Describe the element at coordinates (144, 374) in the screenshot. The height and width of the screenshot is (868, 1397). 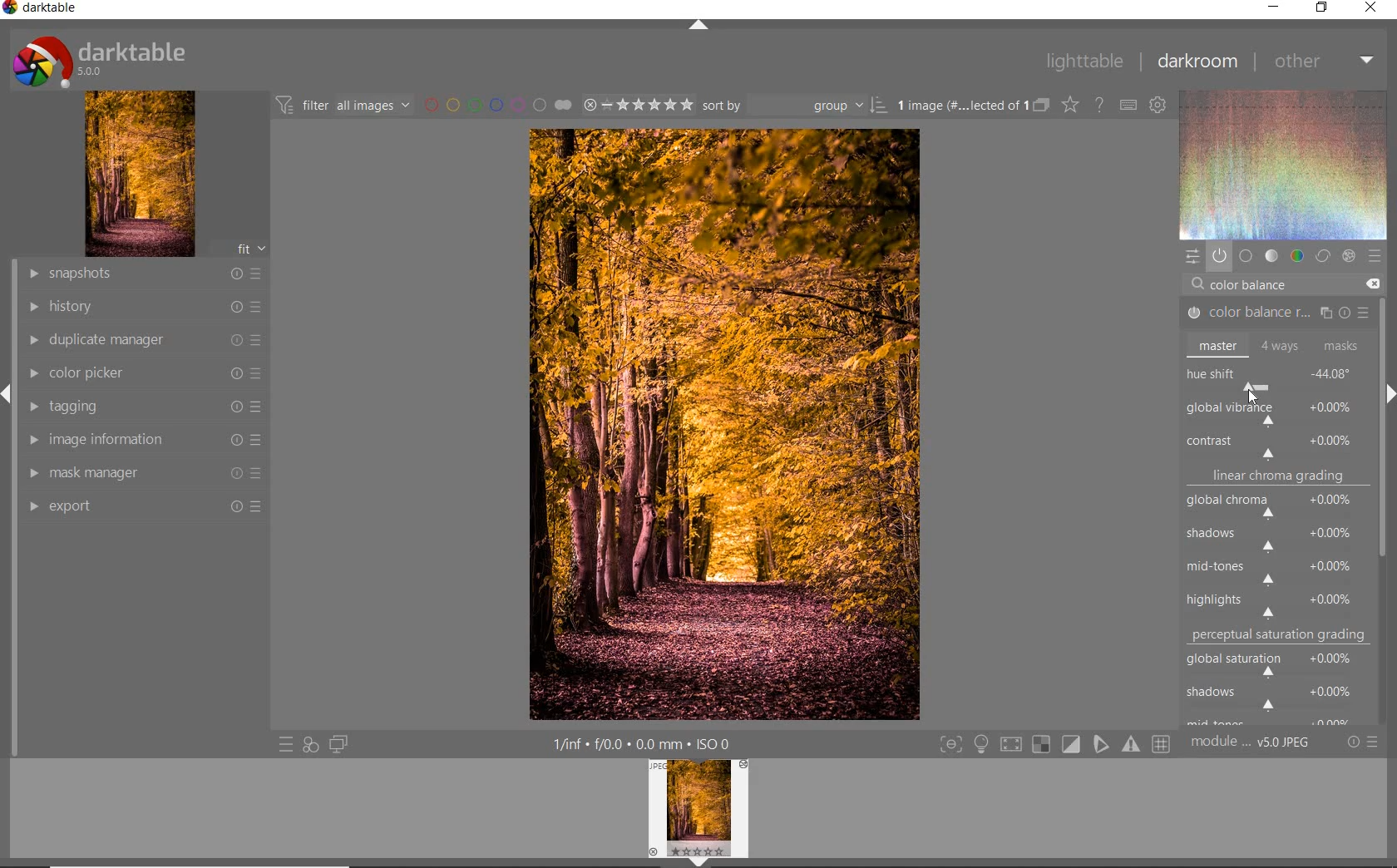
I see `color picker` at that location.